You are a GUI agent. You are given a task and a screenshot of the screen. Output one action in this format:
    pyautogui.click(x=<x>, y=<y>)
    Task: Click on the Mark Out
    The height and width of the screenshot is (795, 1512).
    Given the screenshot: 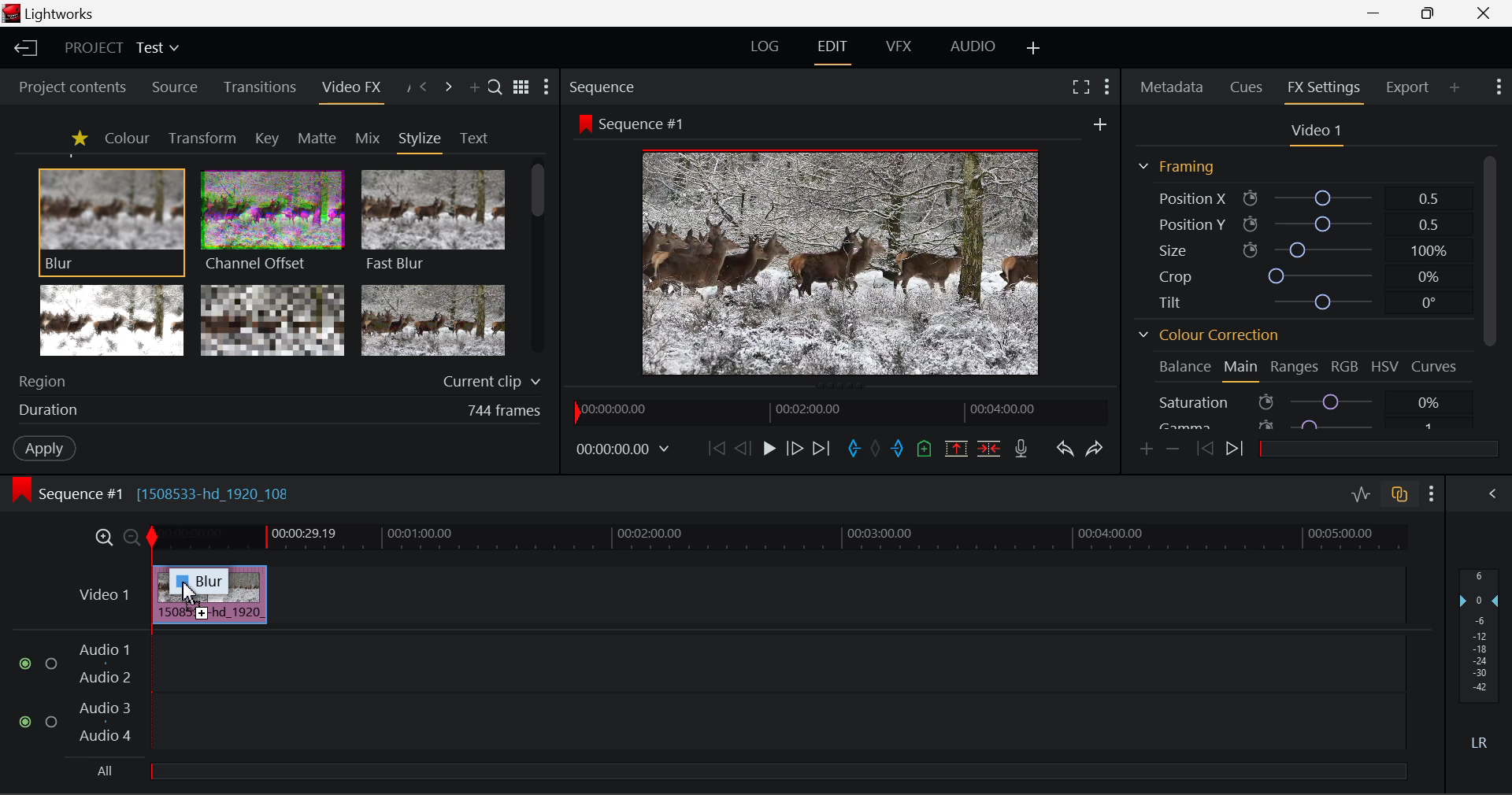 What is the action you would take?
    pyautogui.click(x=898, y=445)
    